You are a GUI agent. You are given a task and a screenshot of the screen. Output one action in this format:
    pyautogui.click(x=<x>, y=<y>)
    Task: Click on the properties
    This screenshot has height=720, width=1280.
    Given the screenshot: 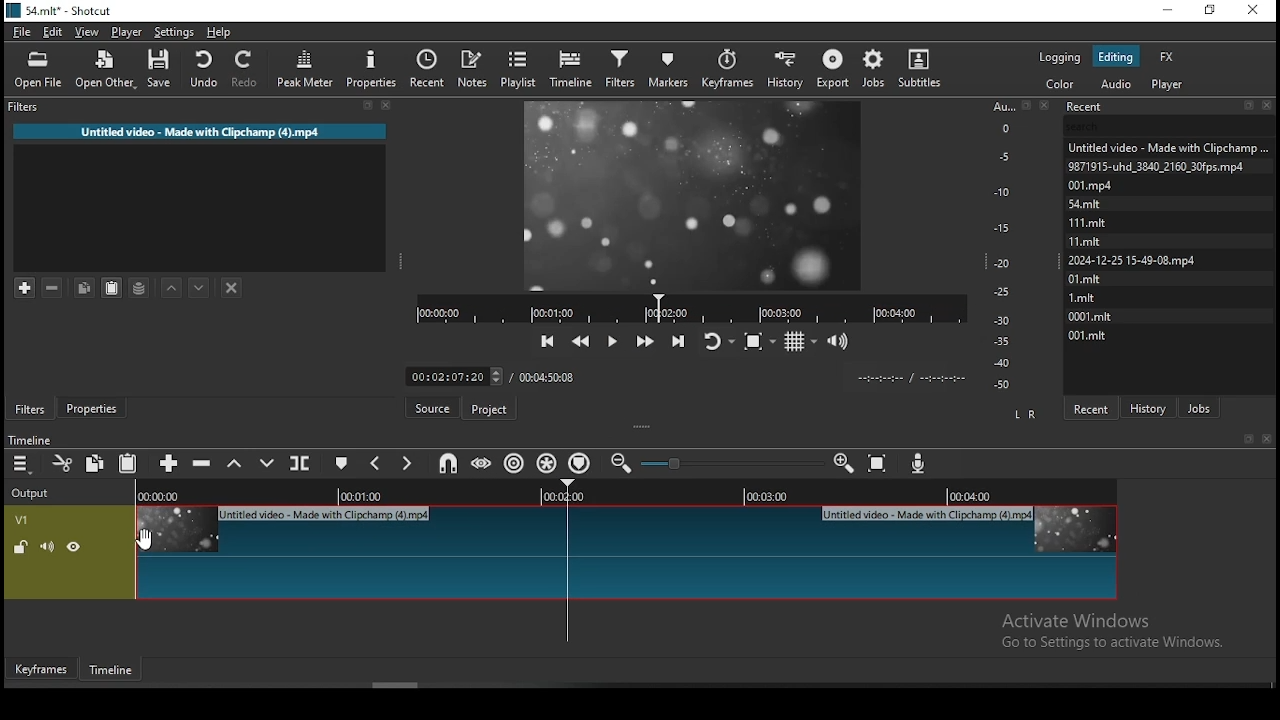 What is the action you would take?
    pyautogui.click(x=375, y=71)
    